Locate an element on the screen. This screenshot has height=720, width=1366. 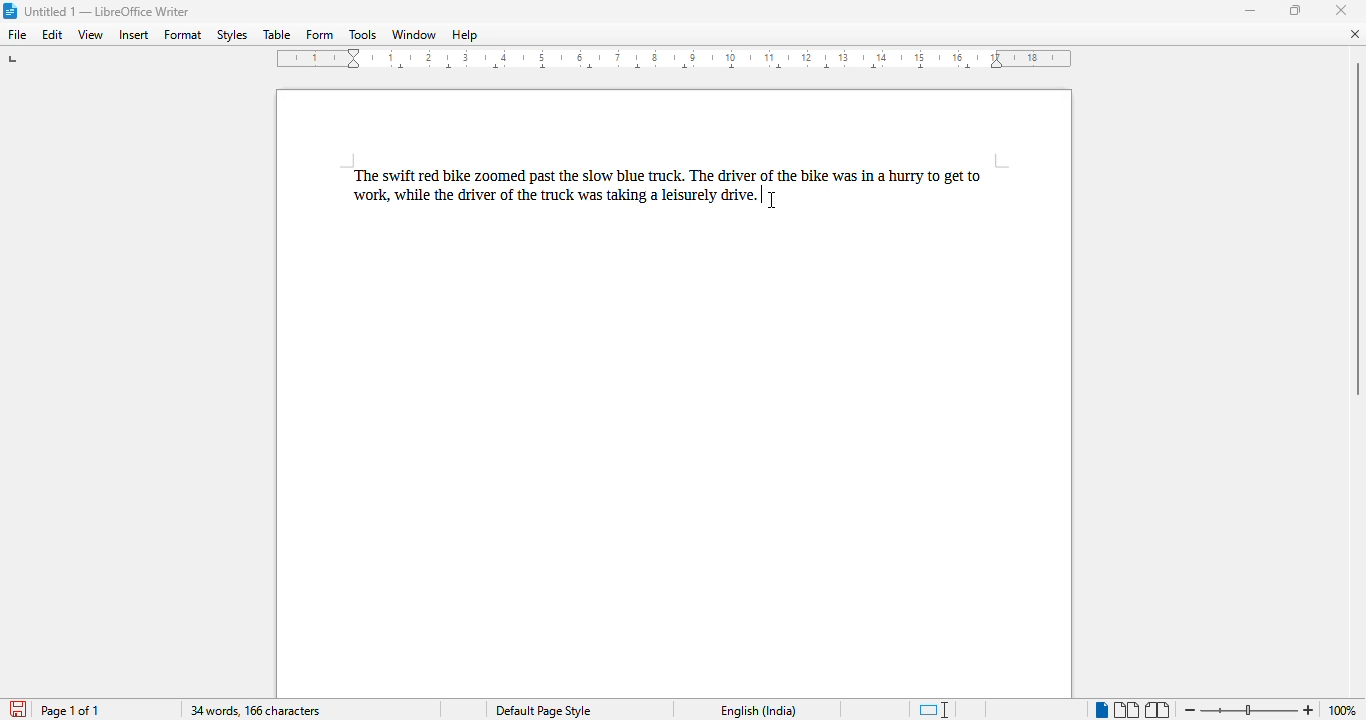
help is located at coordinates (464, 35).